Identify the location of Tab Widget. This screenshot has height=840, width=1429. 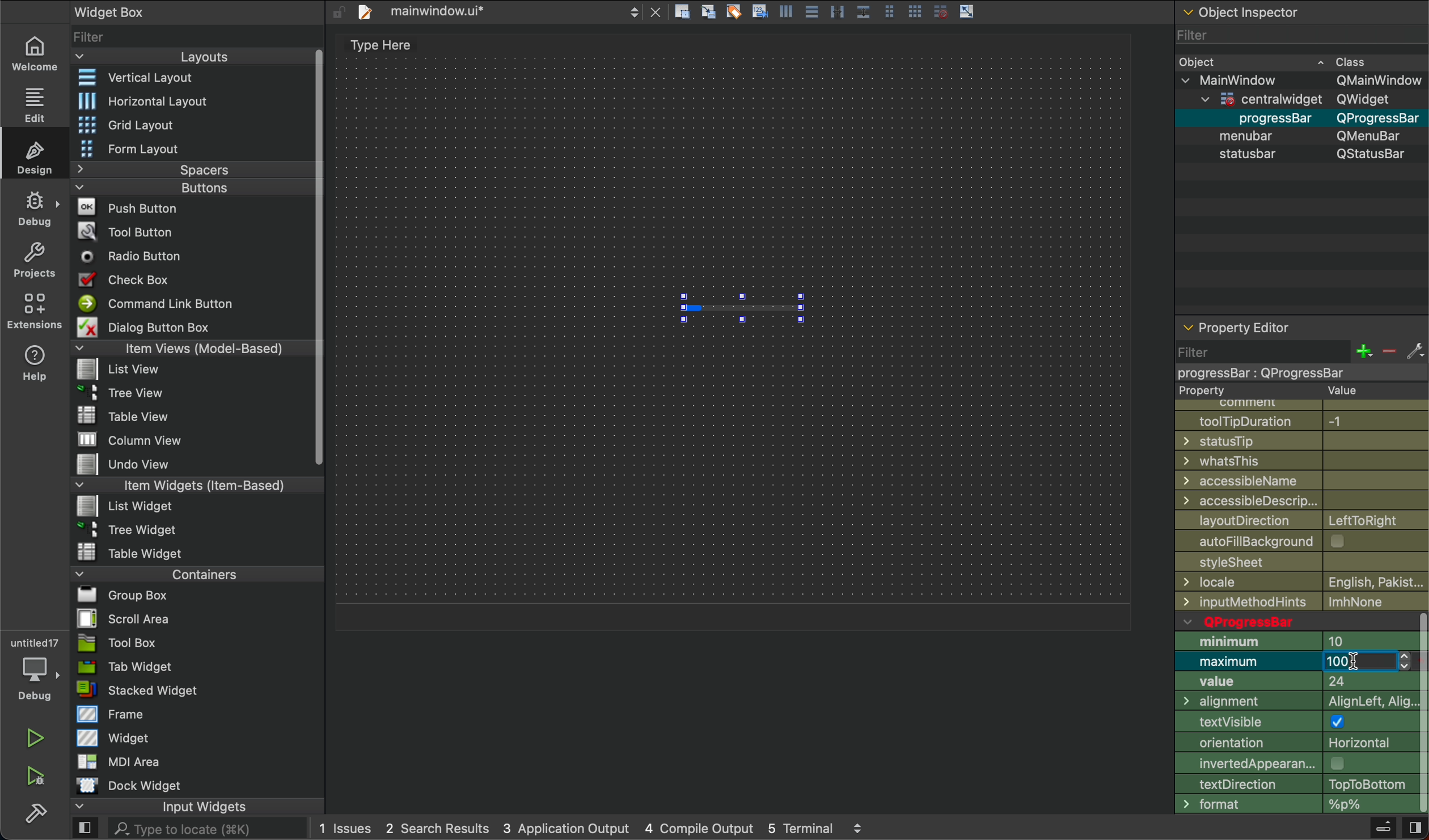
(122, 667).